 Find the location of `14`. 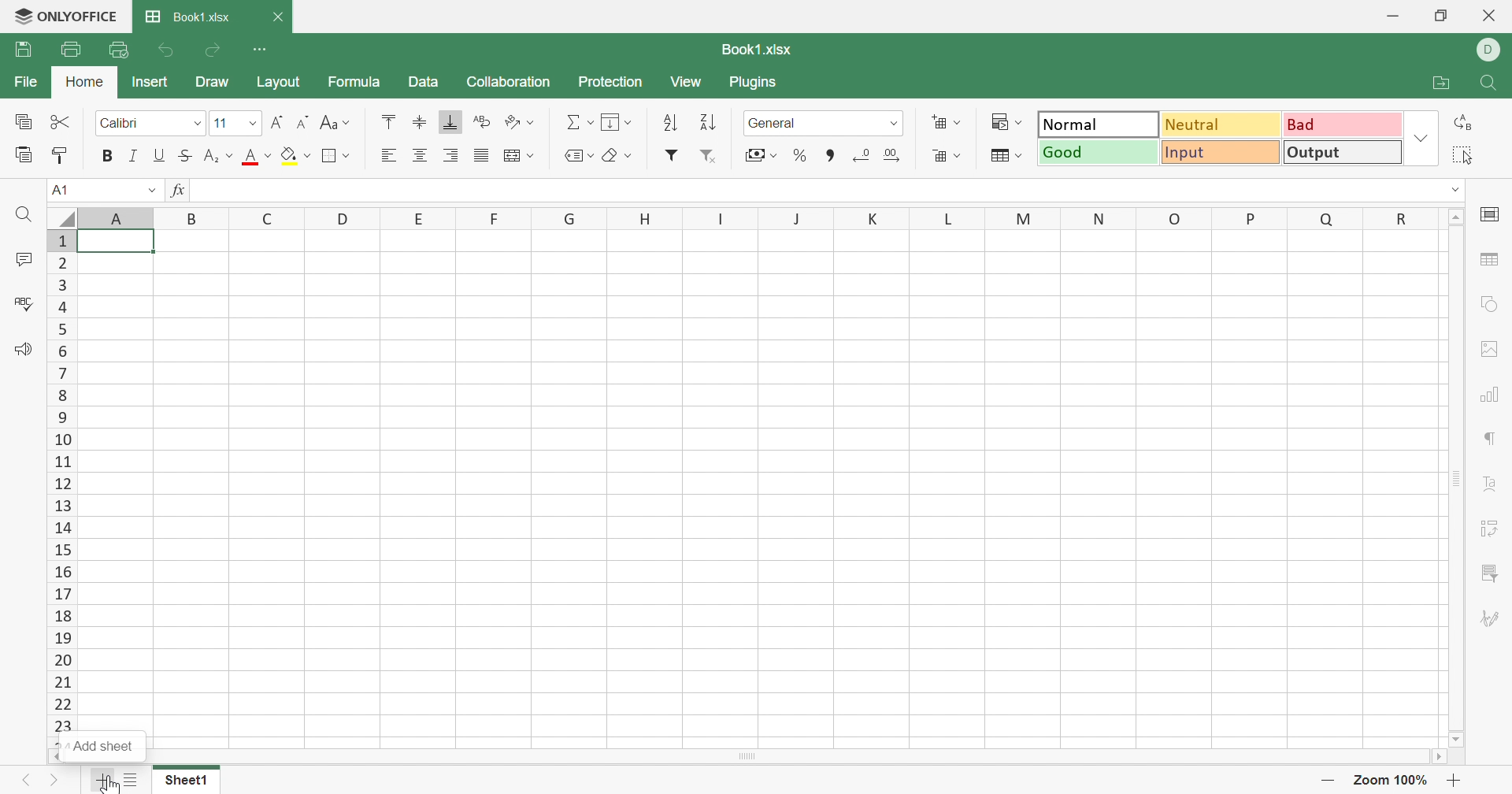

14 is located at coordinates (63, 528).